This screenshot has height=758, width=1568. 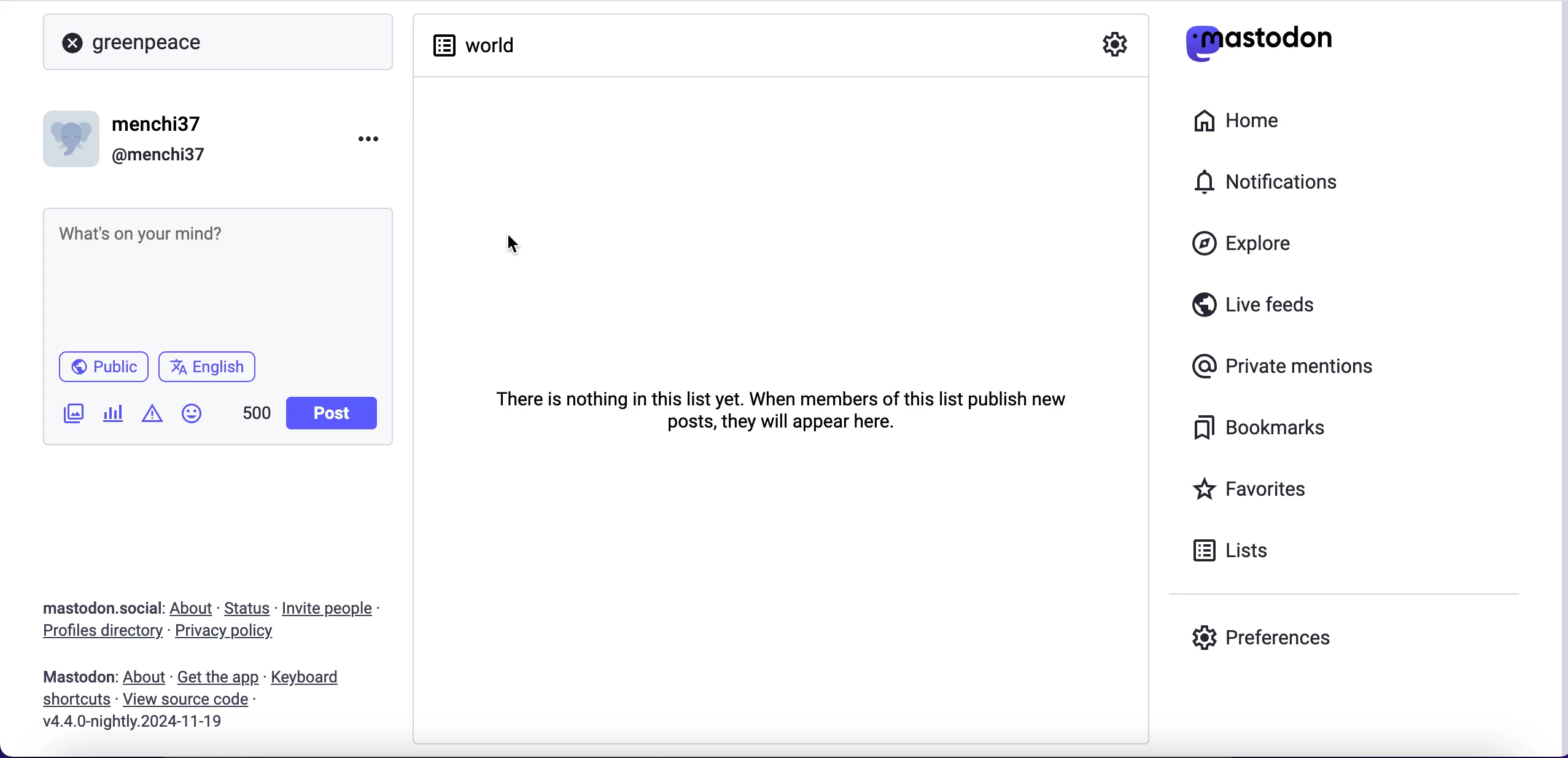 What do you see at coordinates (155, 415) in the screenshot?
I see `add content warning` at bounding box center [155, 415].